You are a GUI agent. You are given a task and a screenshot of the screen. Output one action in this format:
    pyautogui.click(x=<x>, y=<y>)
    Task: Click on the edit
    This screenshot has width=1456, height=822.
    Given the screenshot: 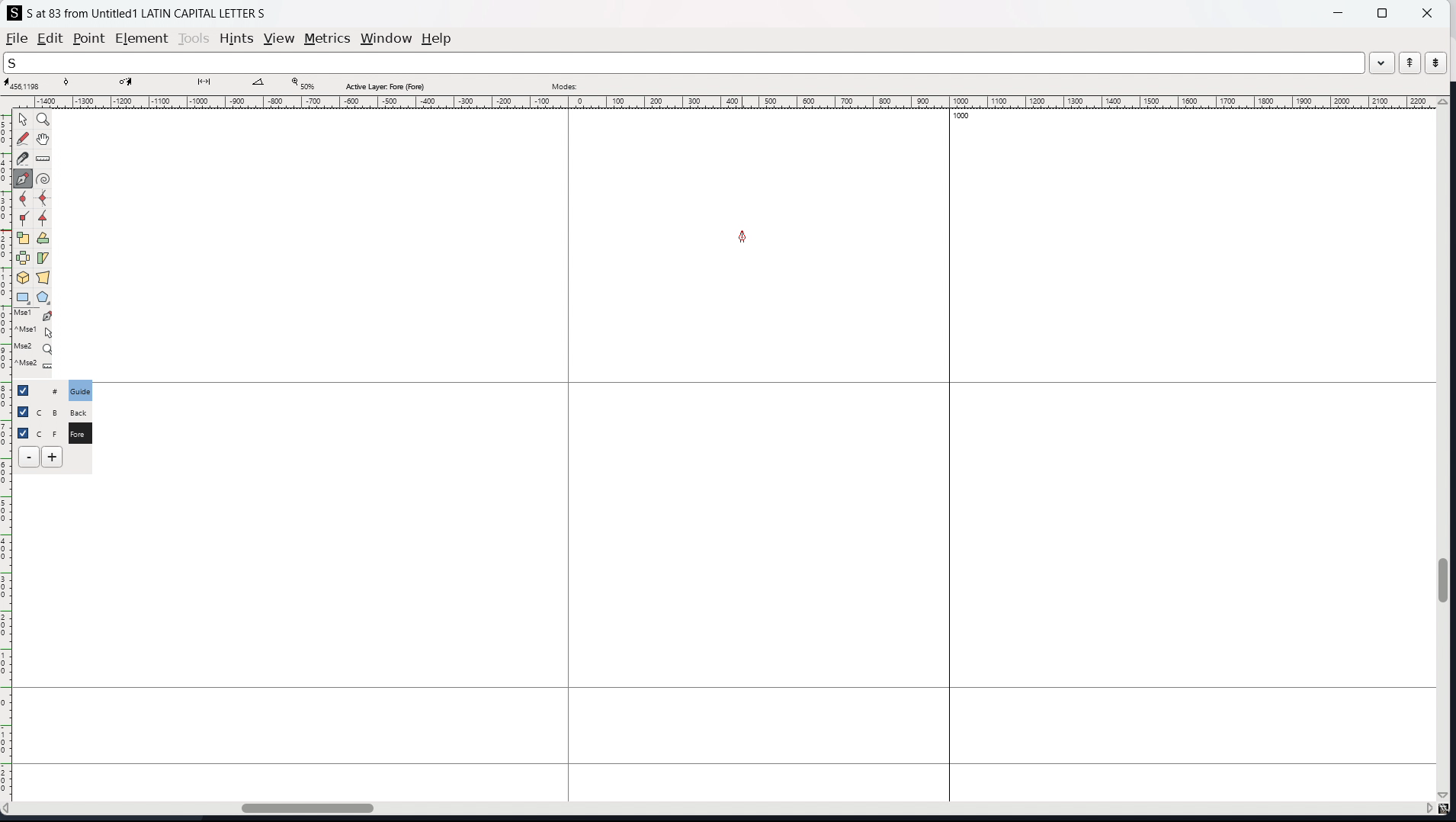 What is the action you would take?
    pyautogui.click(x=50, y=38)
    